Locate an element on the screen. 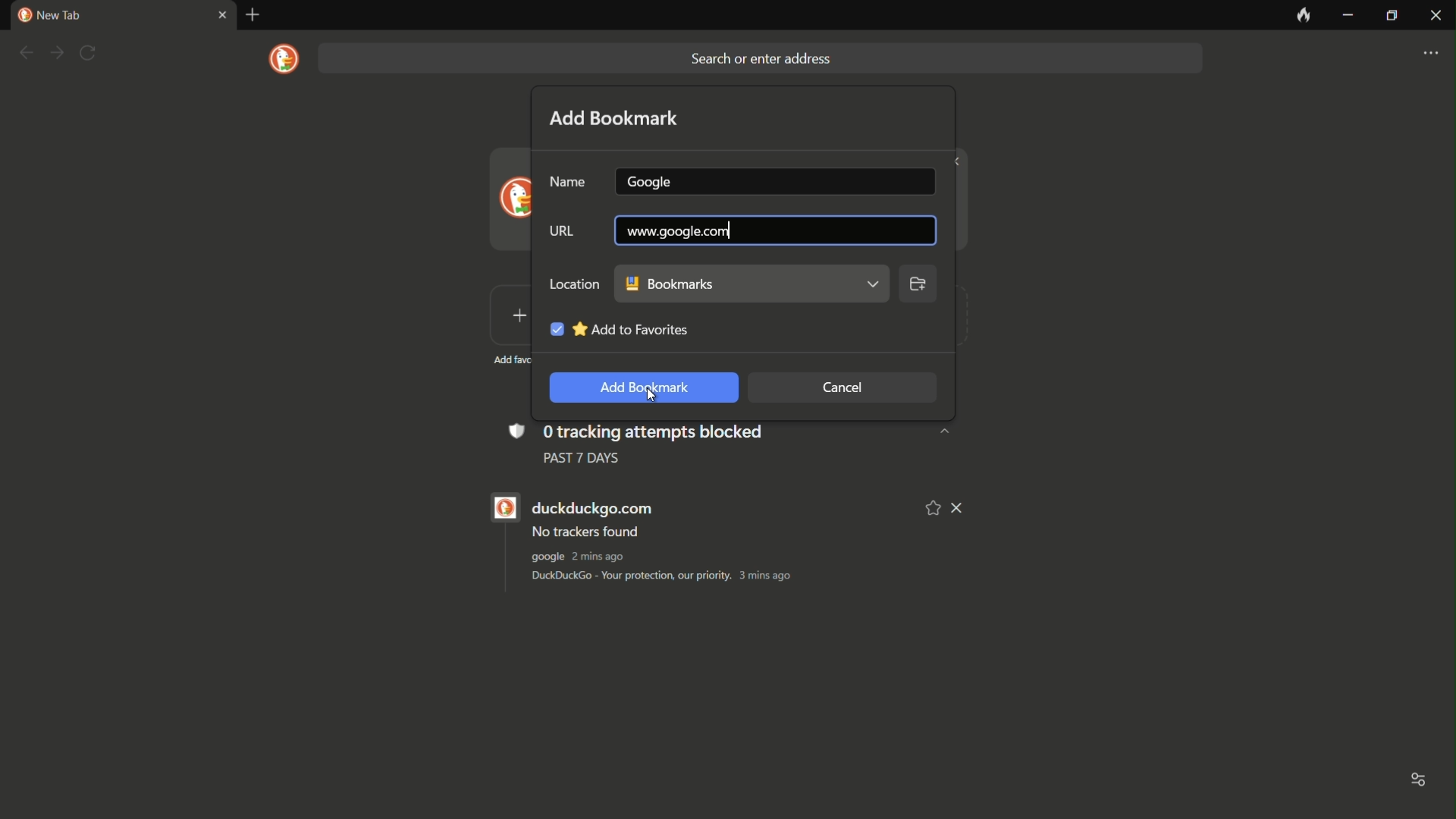 The height and width of the screenshot is (819, 1456). add bookmark is located at coordinates (615, 118).